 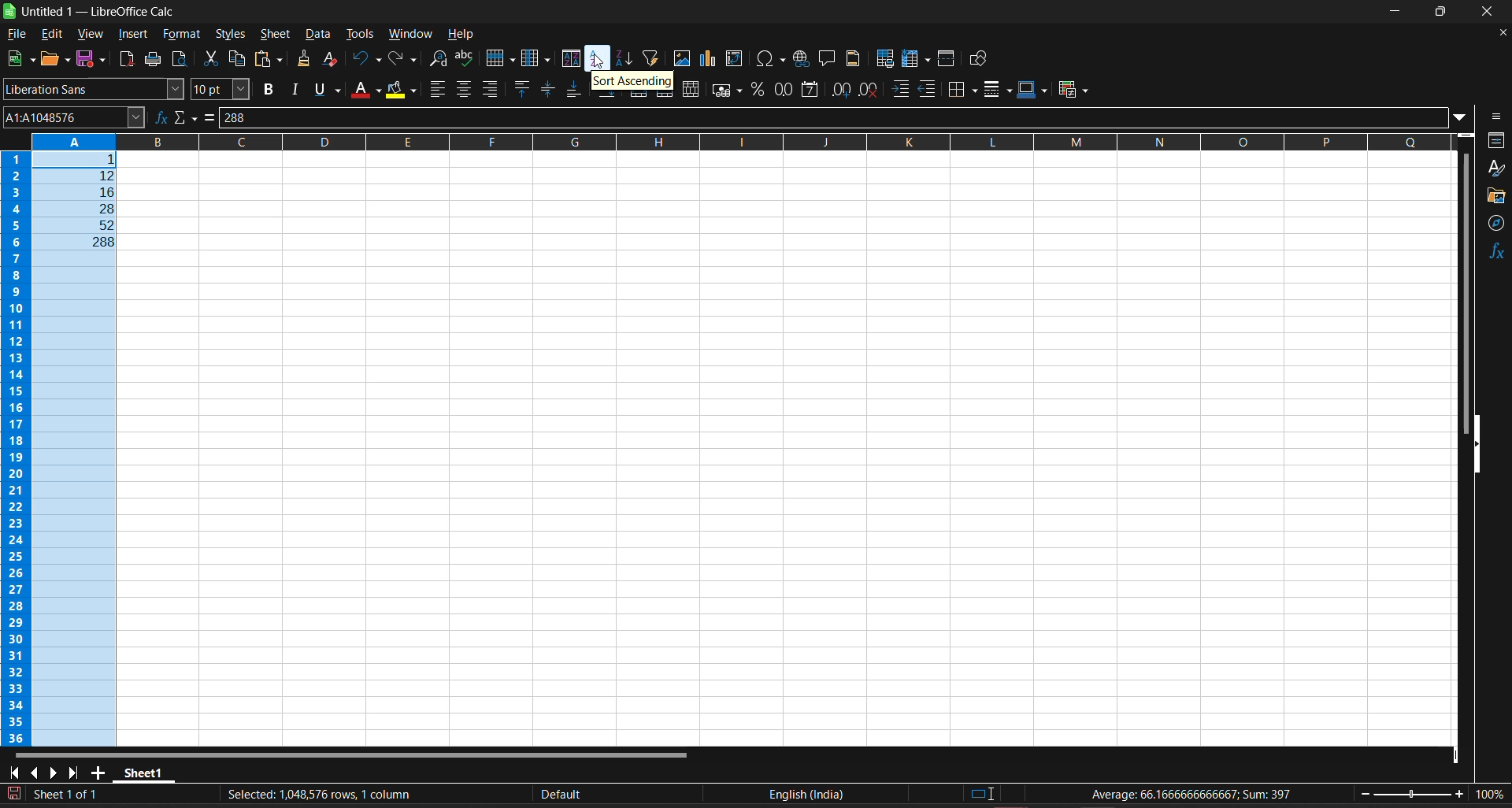 I want to click on selection mode, so click(x=982, y=795).